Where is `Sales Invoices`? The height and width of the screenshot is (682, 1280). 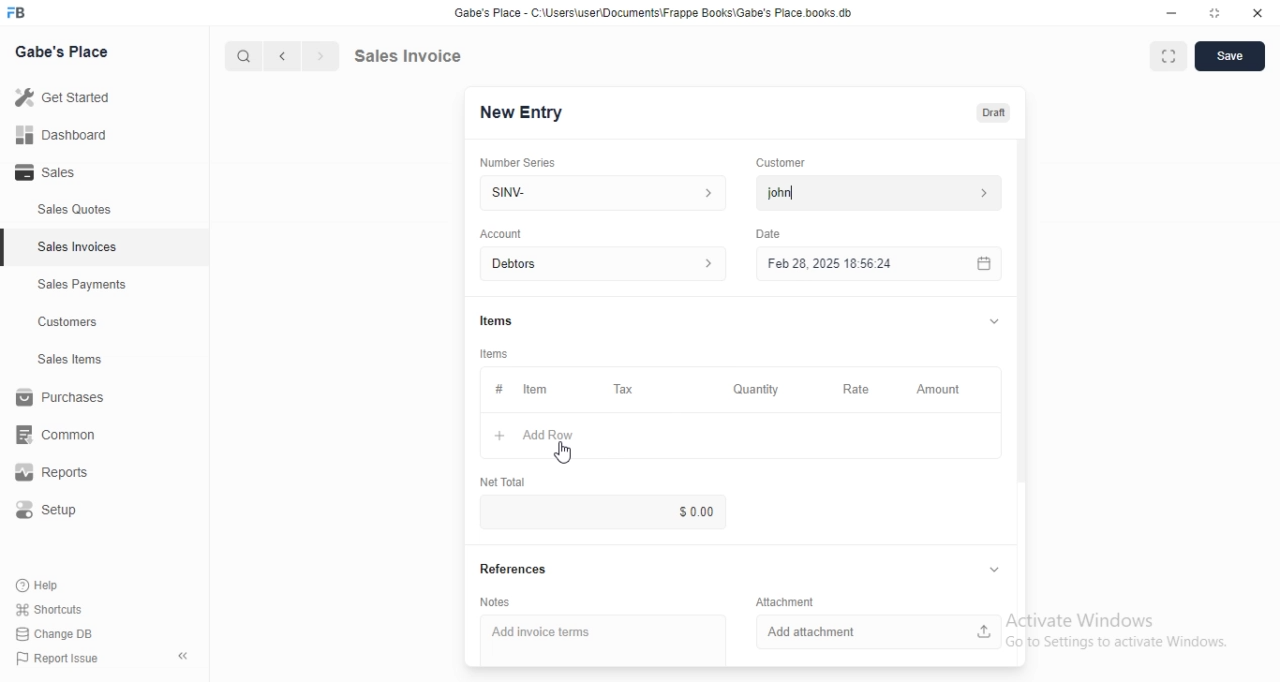
Sales Invoices is located at coordinates (79, 247).